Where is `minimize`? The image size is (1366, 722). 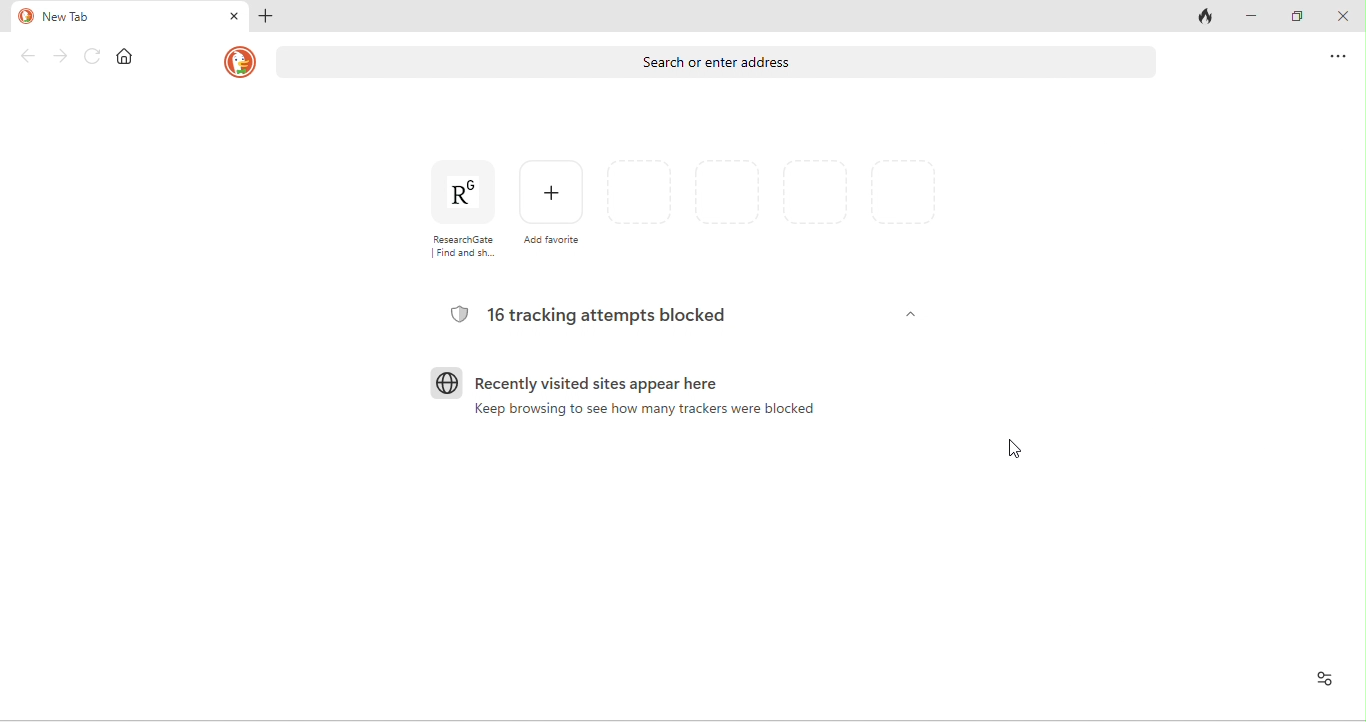
minimize is located at coordinates (1259, 17).